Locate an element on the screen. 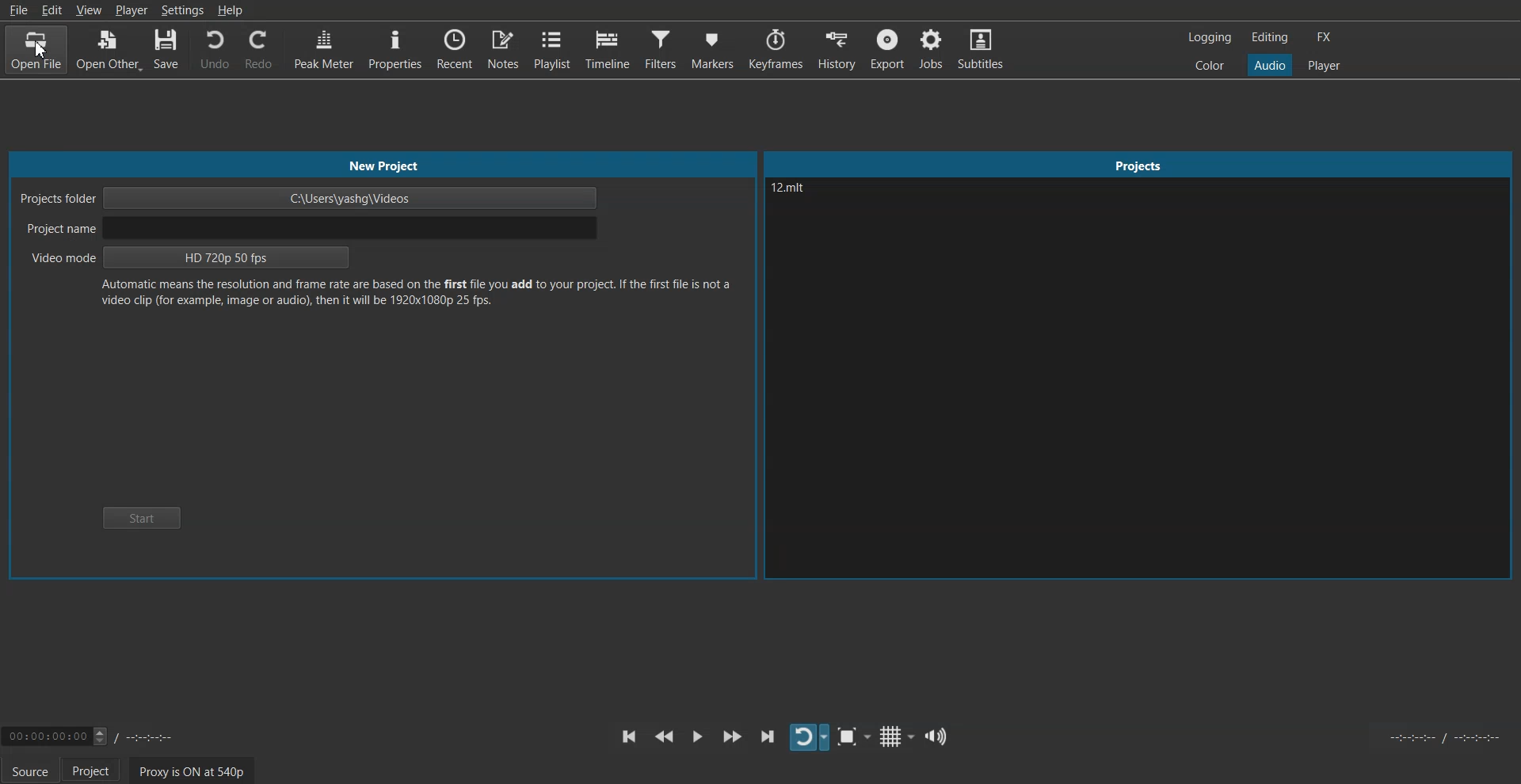 This screenshot has height=784, width=1521. Proxy is ON at 540p  is located at coordinates (190, 770).